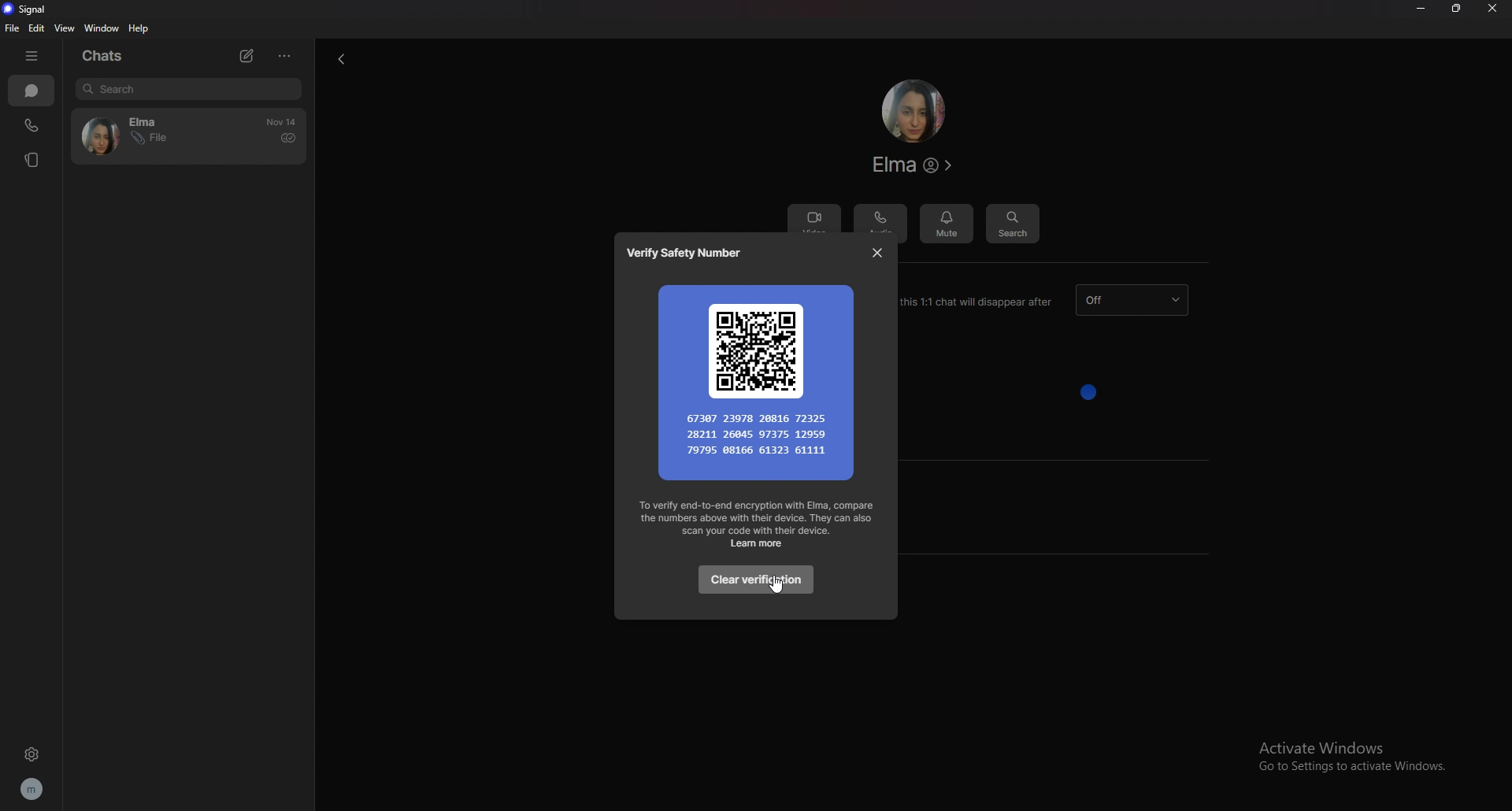 The height and width of the screenshot is (811, 1512). Describe the element at coordinates (103, 28) in the screenshot. I see `window` at that location.